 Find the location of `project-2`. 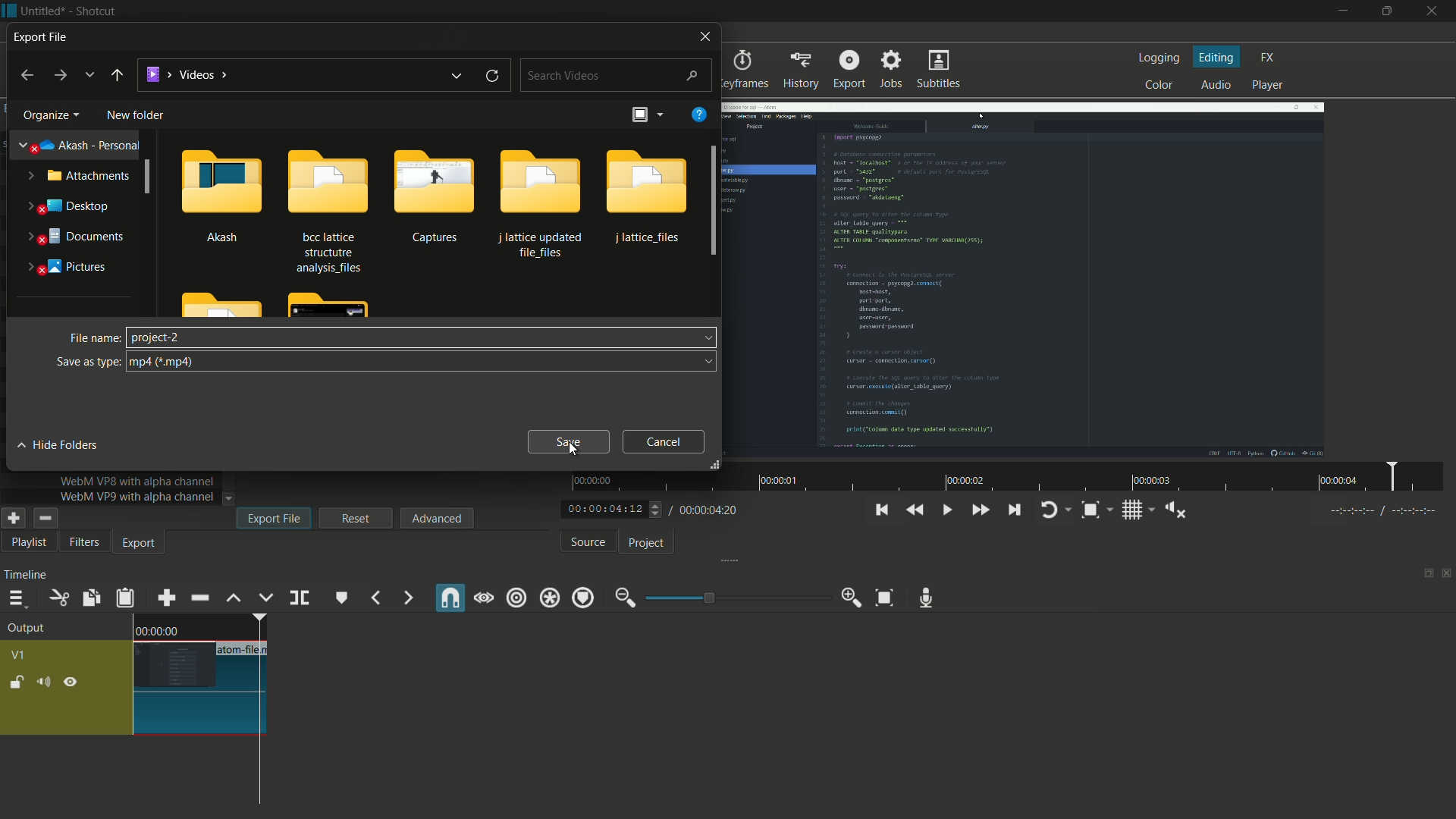

project-2 is located at coordinates (156, 337).